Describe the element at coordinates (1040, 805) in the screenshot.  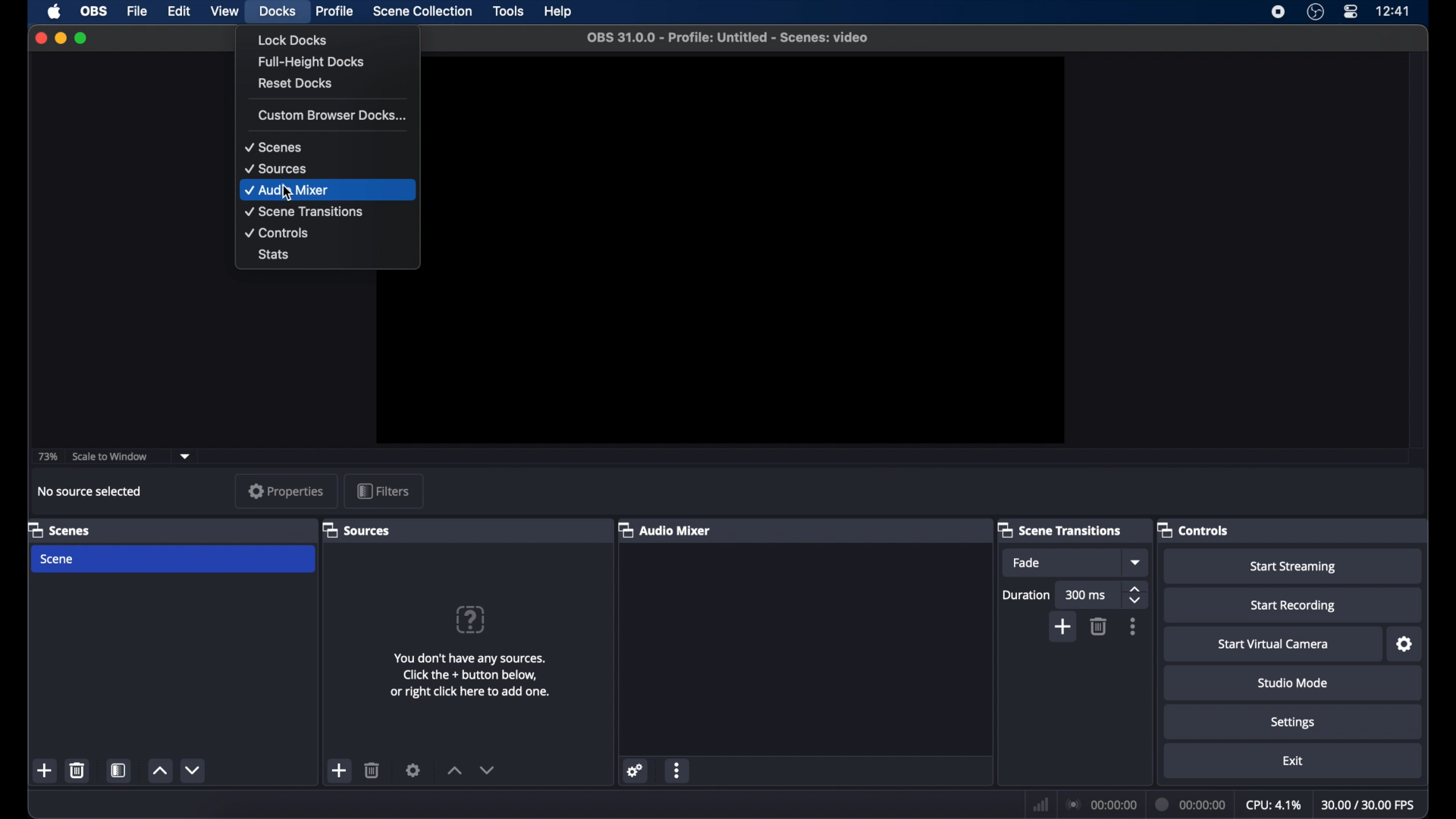
I see `network` at that location.